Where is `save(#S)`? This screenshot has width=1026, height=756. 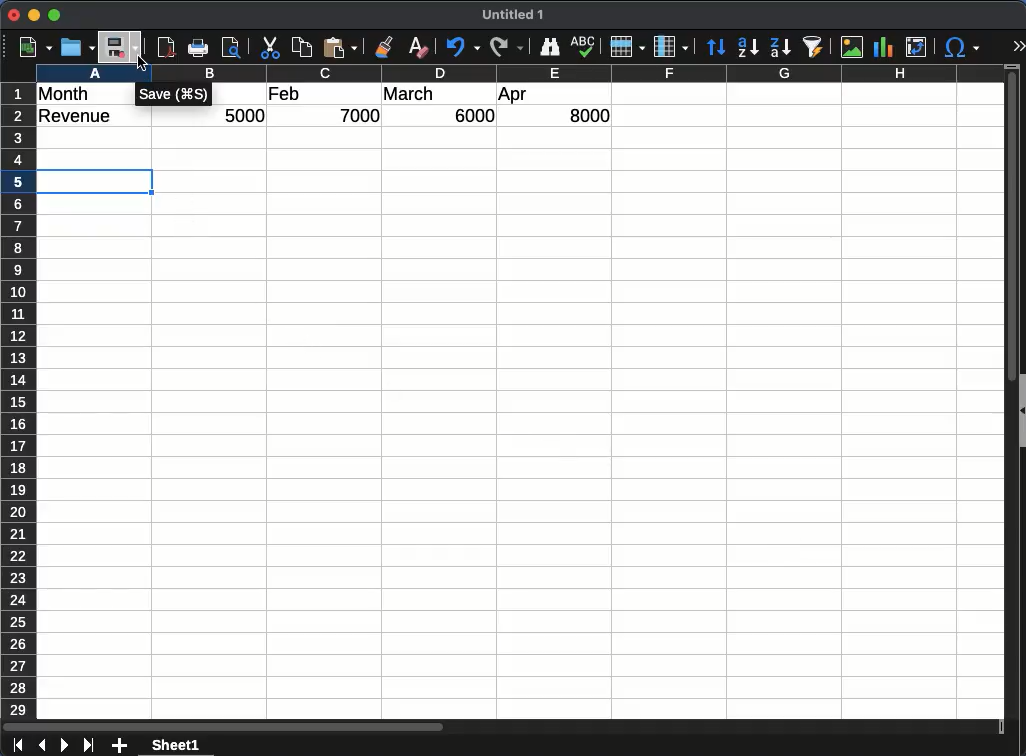 save(#S) is located at coordinates (175, 97).